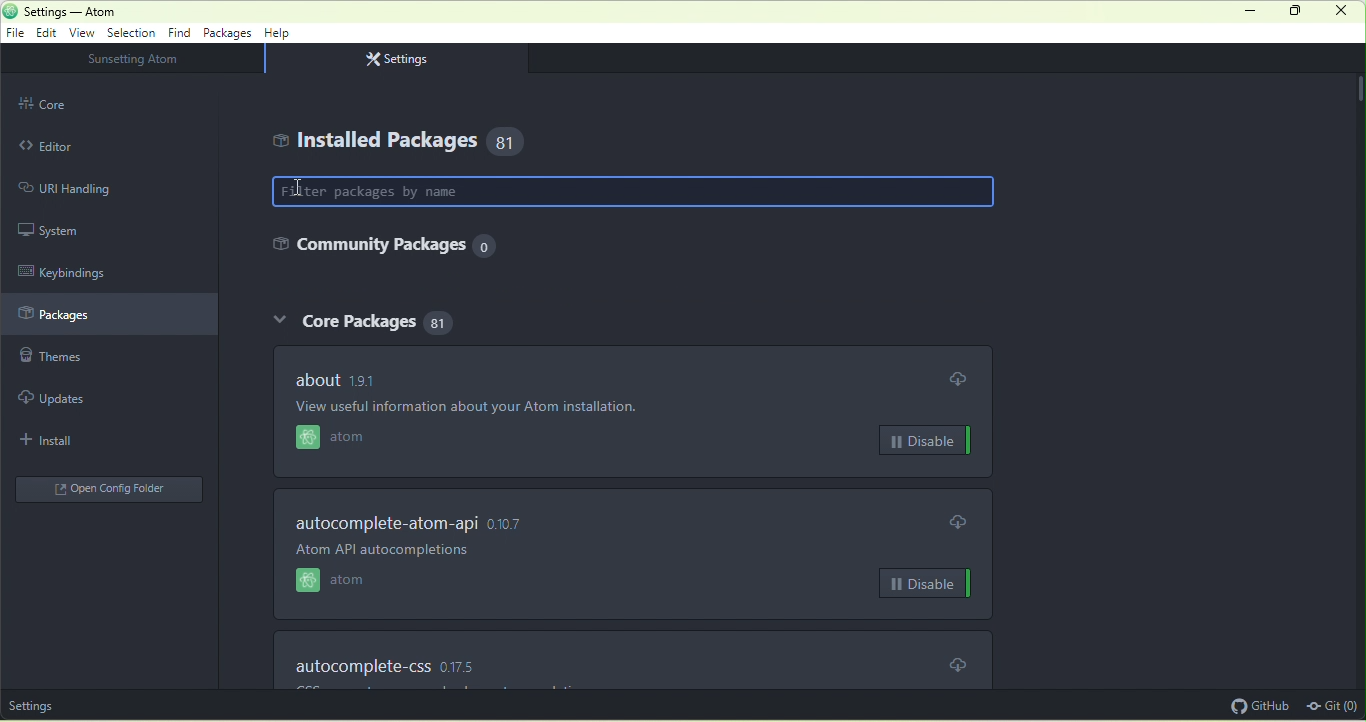 This screenshot has width=1366, height=722. I want to click on install, so click(70, 439).